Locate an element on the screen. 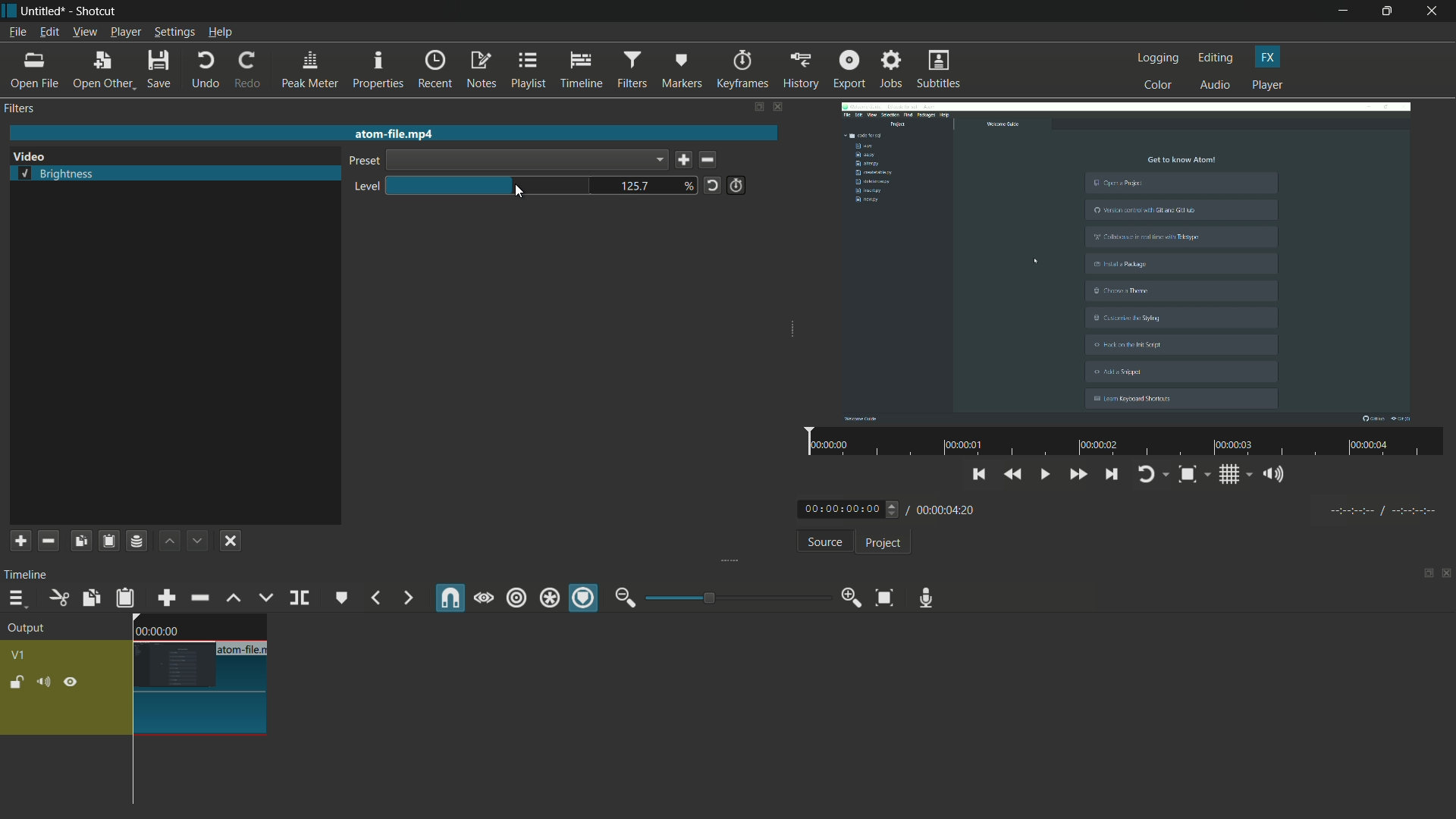  source is located at coordinates (824, 544).